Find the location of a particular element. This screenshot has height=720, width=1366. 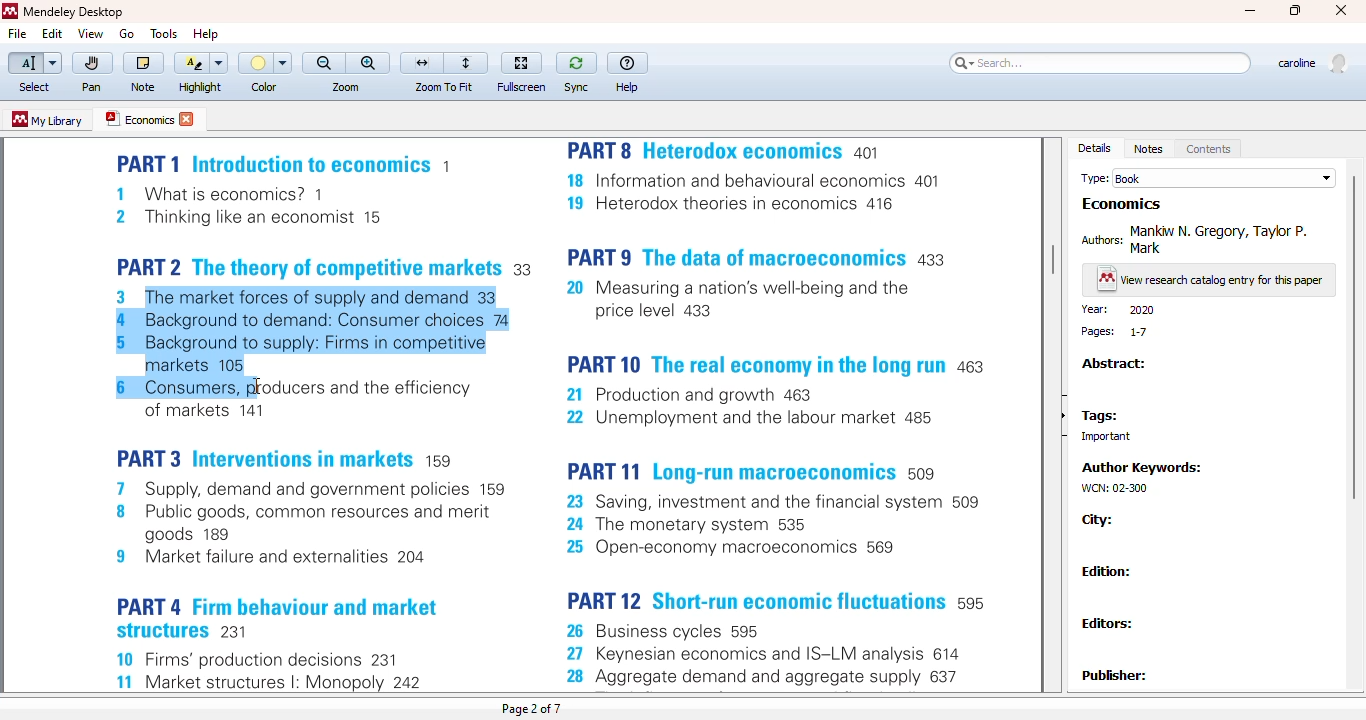

highlight is located at coordinates (199, 63).